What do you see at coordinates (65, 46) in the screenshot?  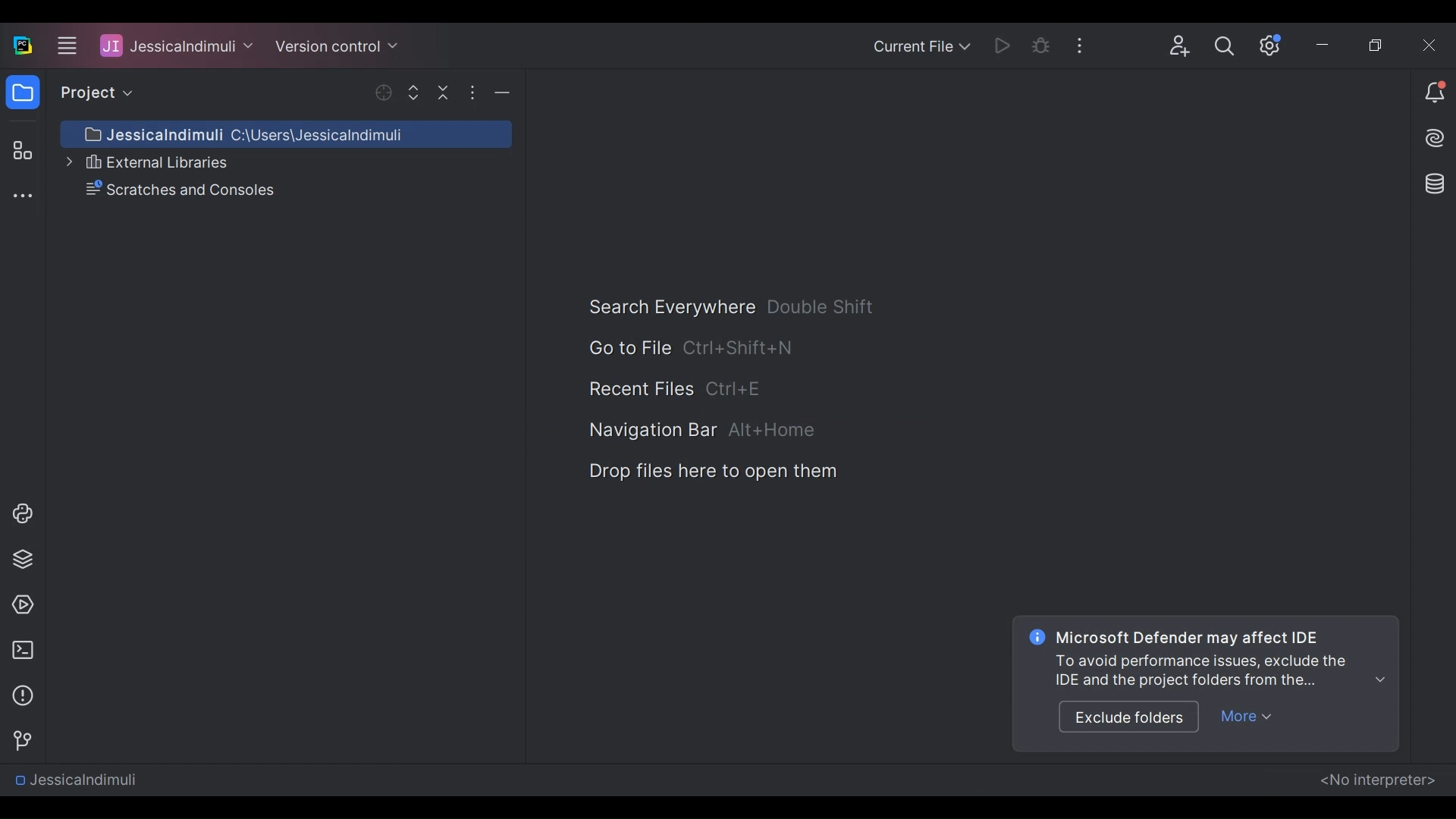 I see `Navigation bar` at bounding box center [65, 46].